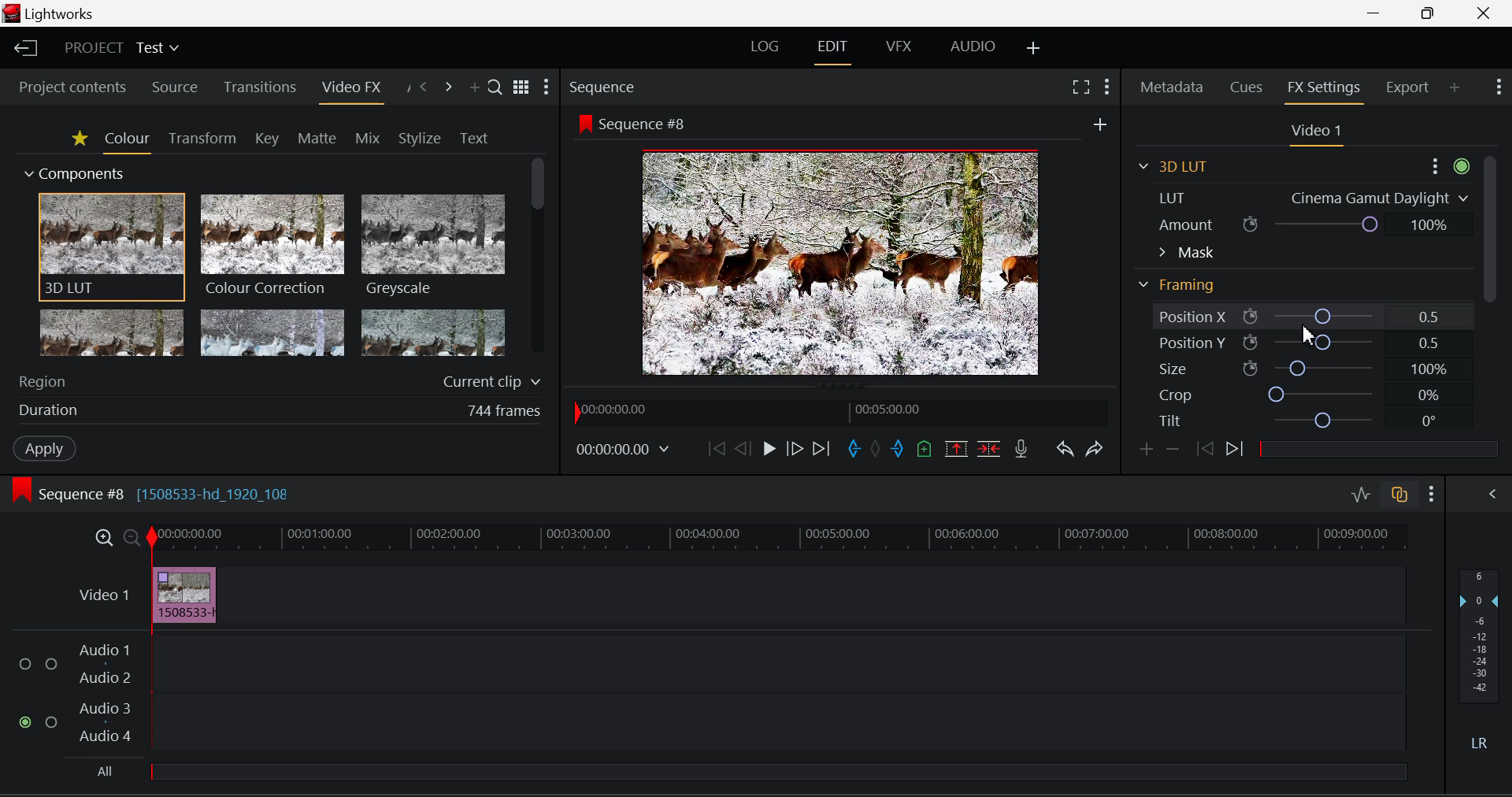 This screenshot has width=1512, height=797. I want to click on LOG Layout, so click(766, 51).